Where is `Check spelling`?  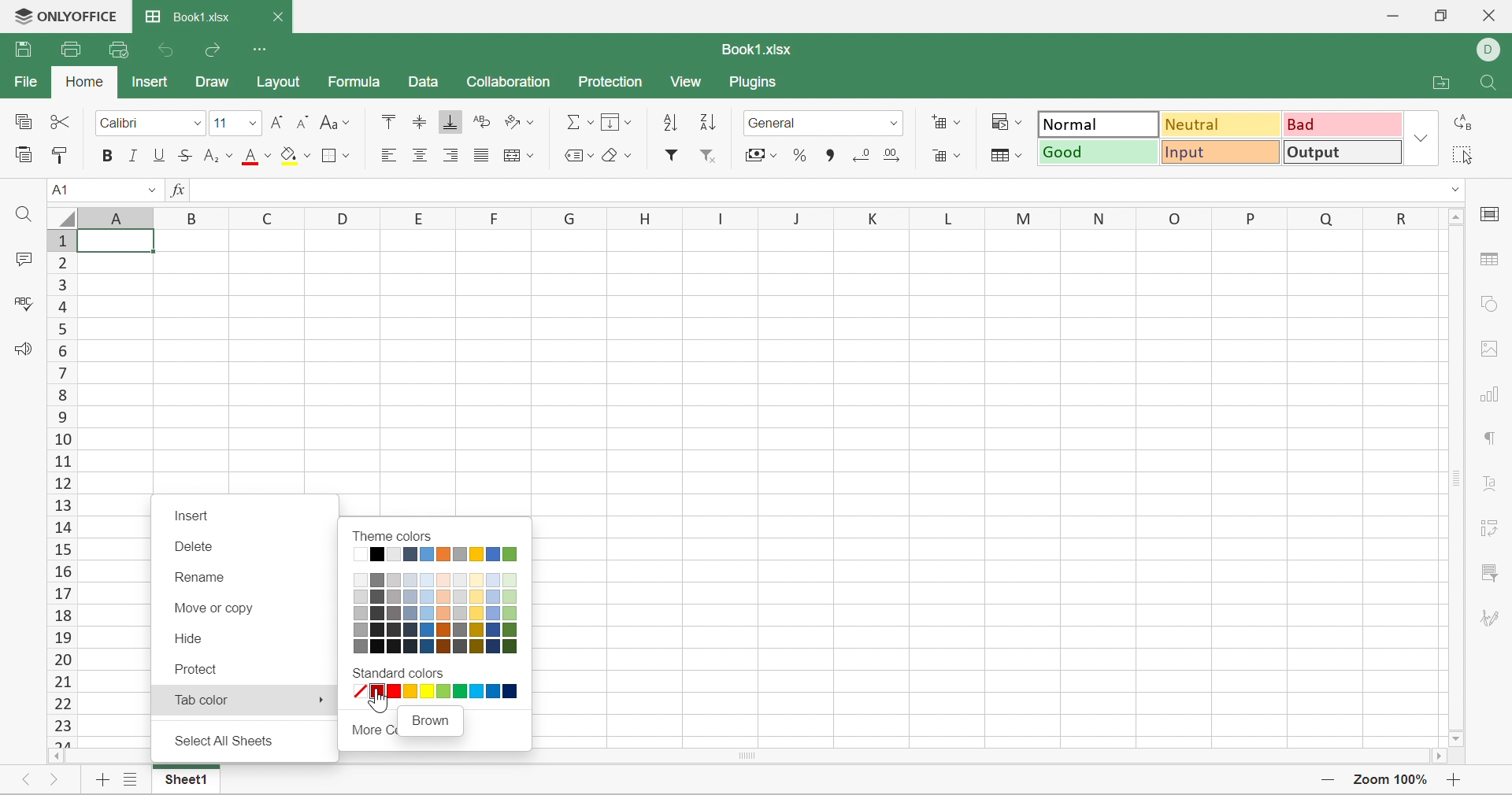
Check spelling is located at coordinates (27, 307).